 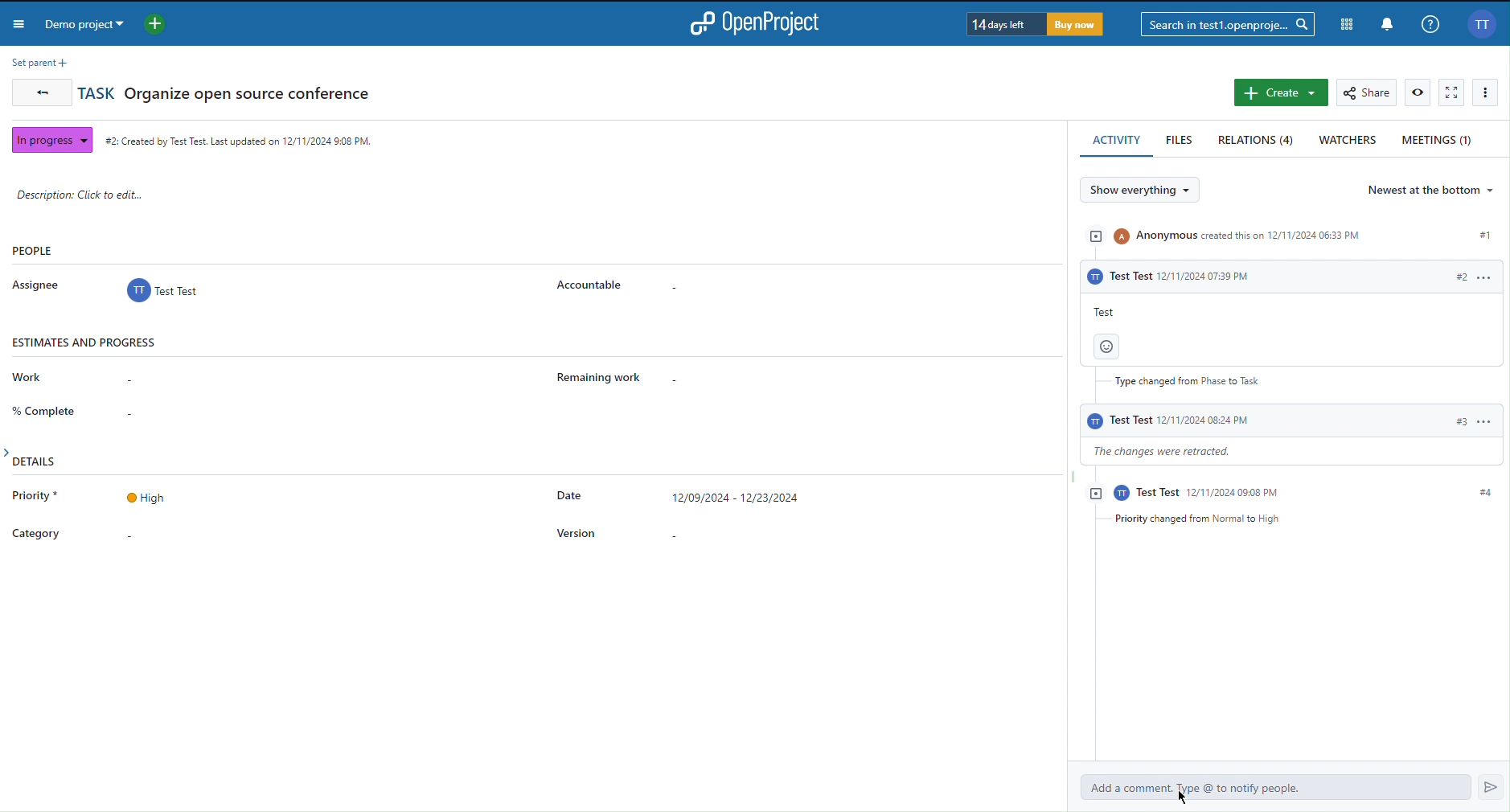 What do you see at coordinates (761, 23) in the screenshot?
I see `OpenProject` at bounding box center [761, 23].